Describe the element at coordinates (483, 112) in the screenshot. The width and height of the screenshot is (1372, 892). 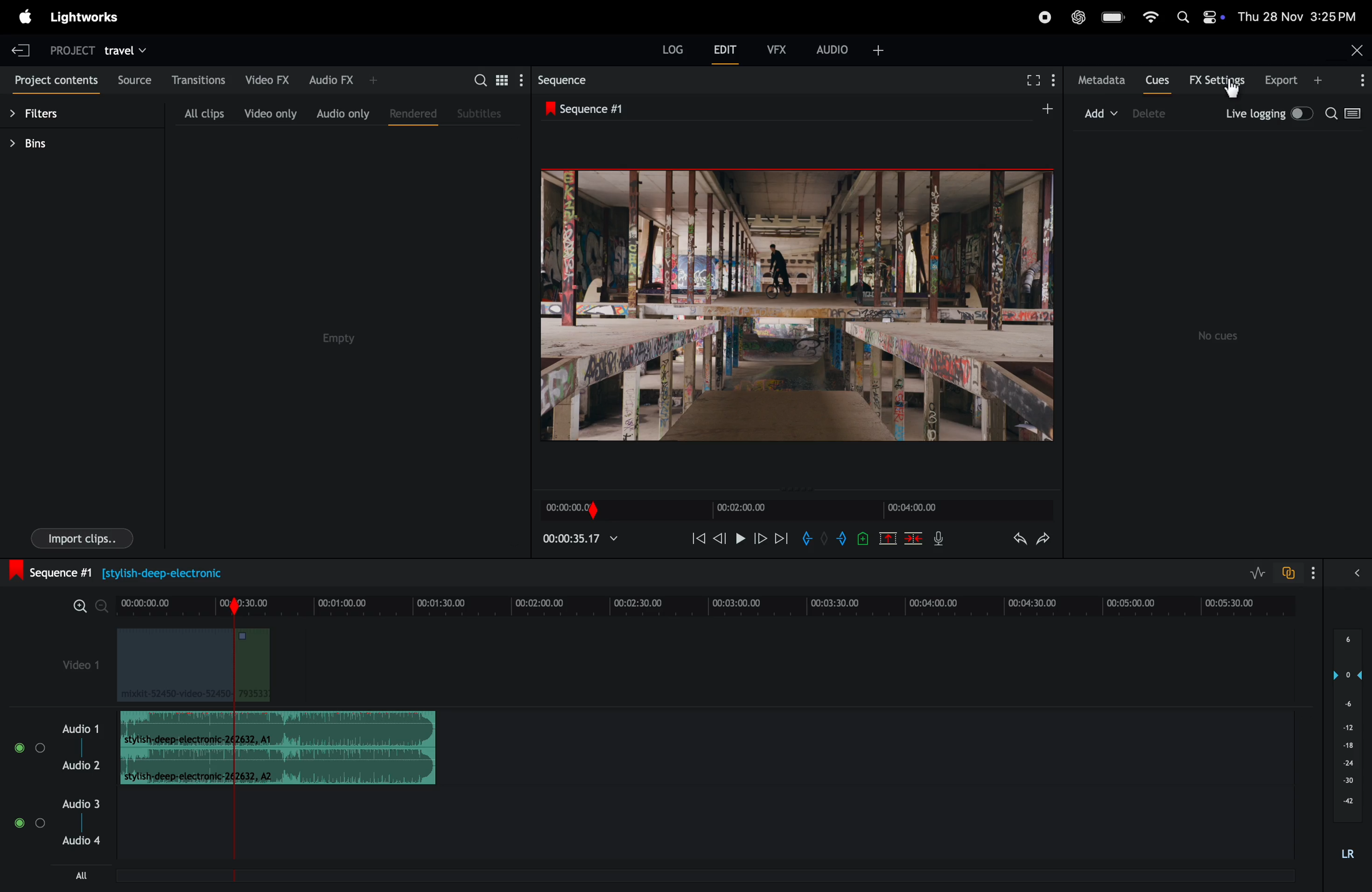
I see `subtitles` at that location.